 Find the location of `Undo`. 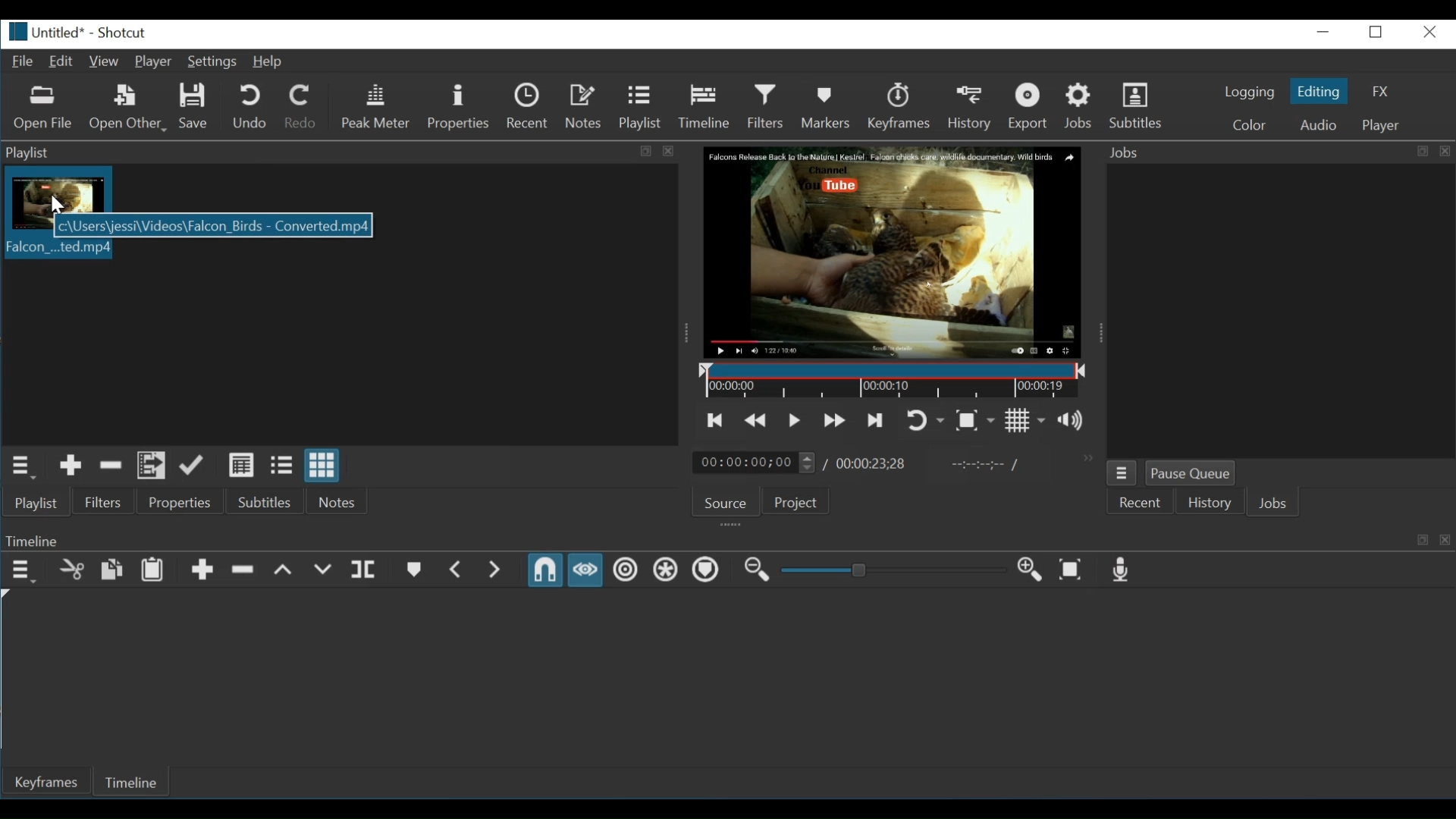

Undo is located at coordinates (252, 106).